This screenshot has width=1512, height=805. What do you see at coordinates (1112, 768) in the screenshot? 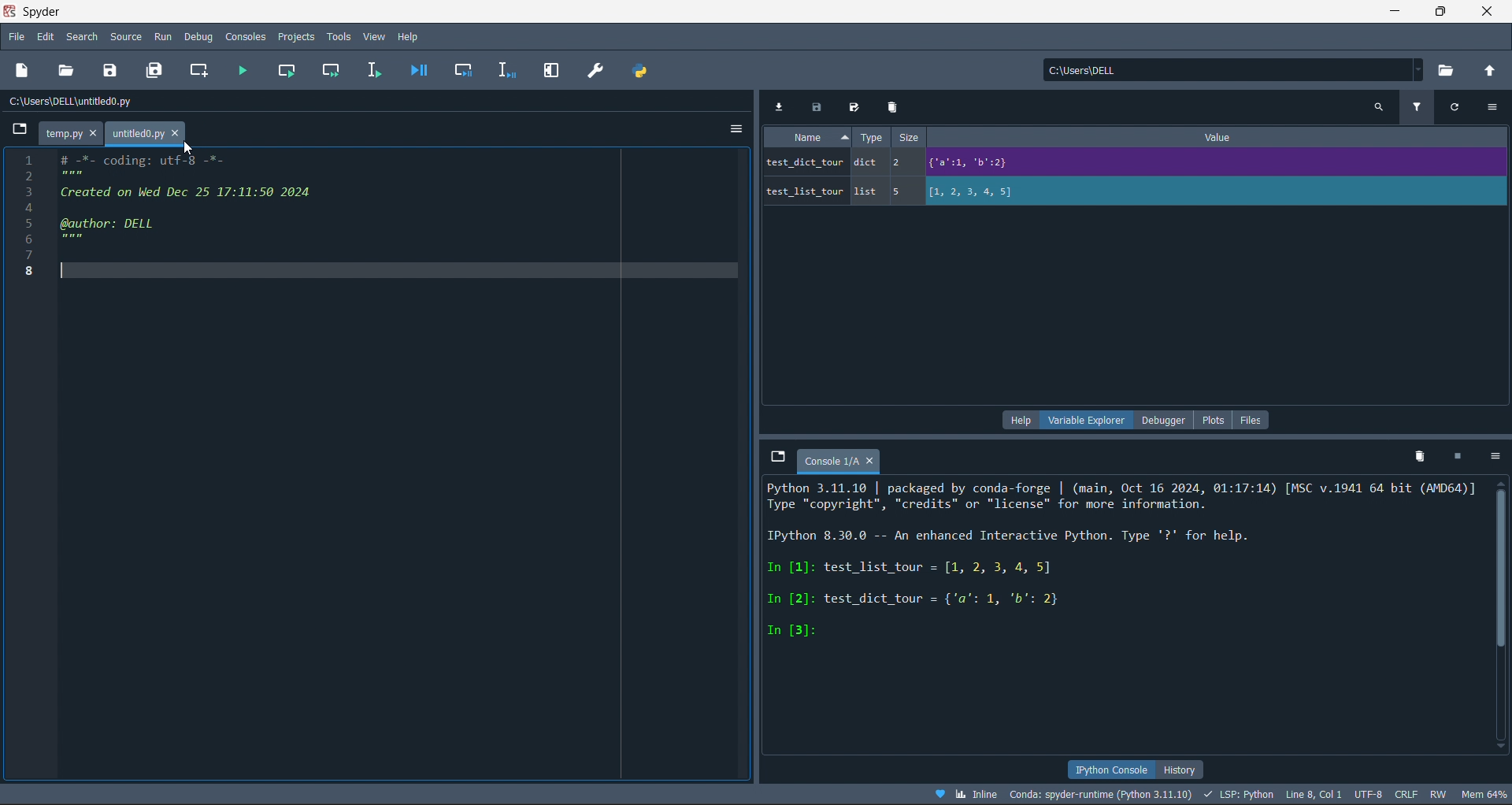
I see `ipython console pane` at bounding box center [1112, 768].